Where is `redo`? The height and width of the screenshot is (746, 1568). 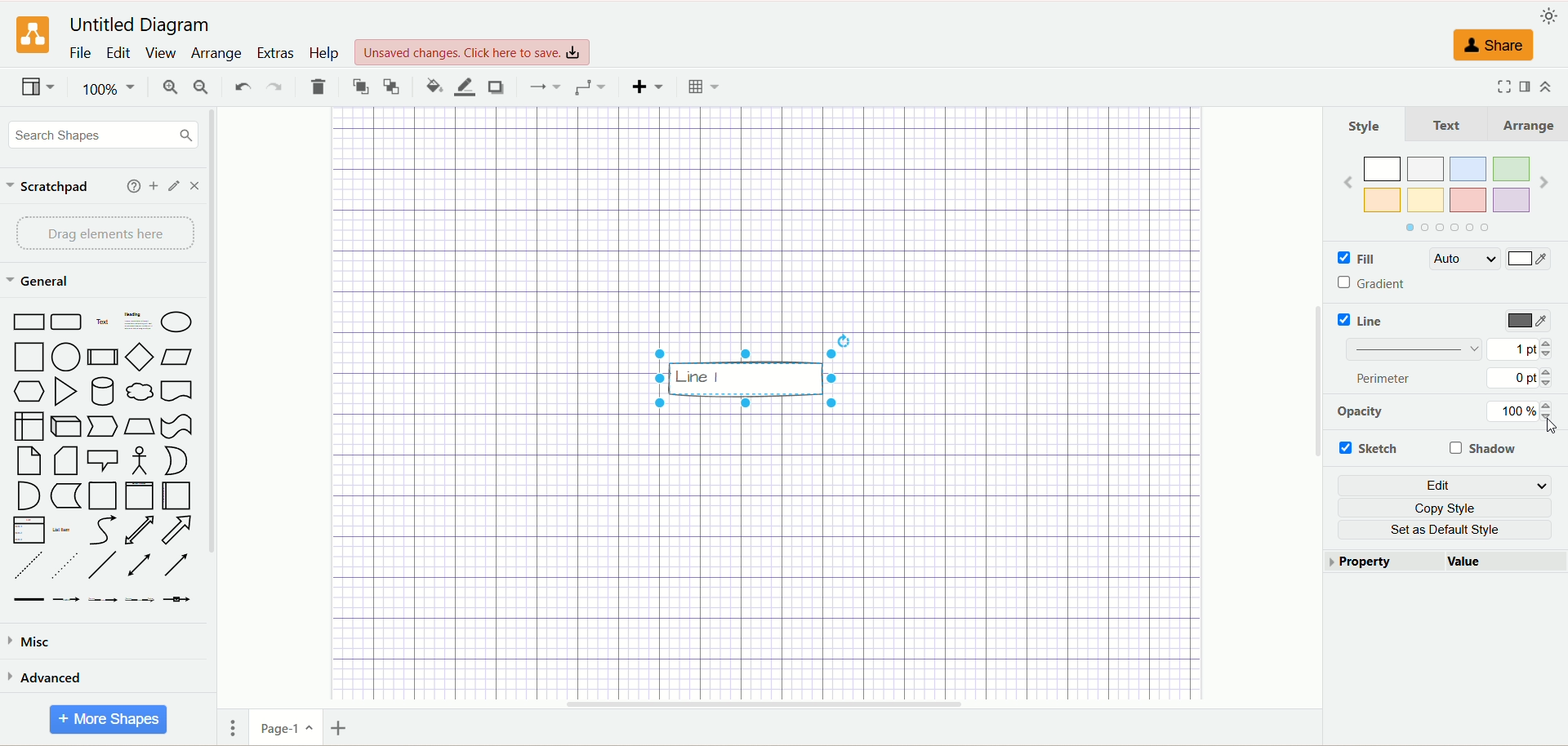 redo is located at coordinates (274, 85).